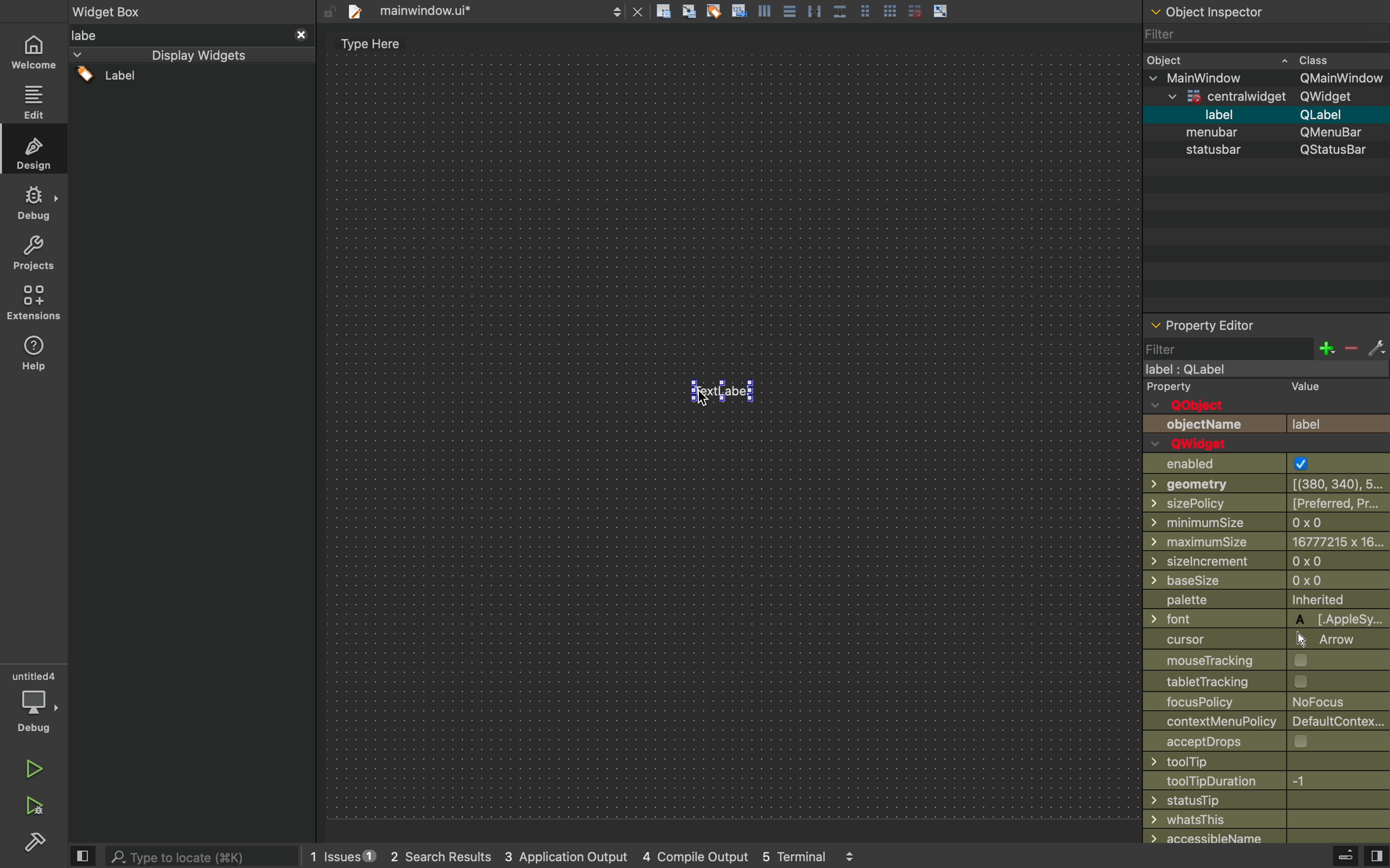 The image size is (1390, 868). What do you see at coordinates (739, 10) in the screenshot?
I see `Icon` at bounding box center [739, 10].